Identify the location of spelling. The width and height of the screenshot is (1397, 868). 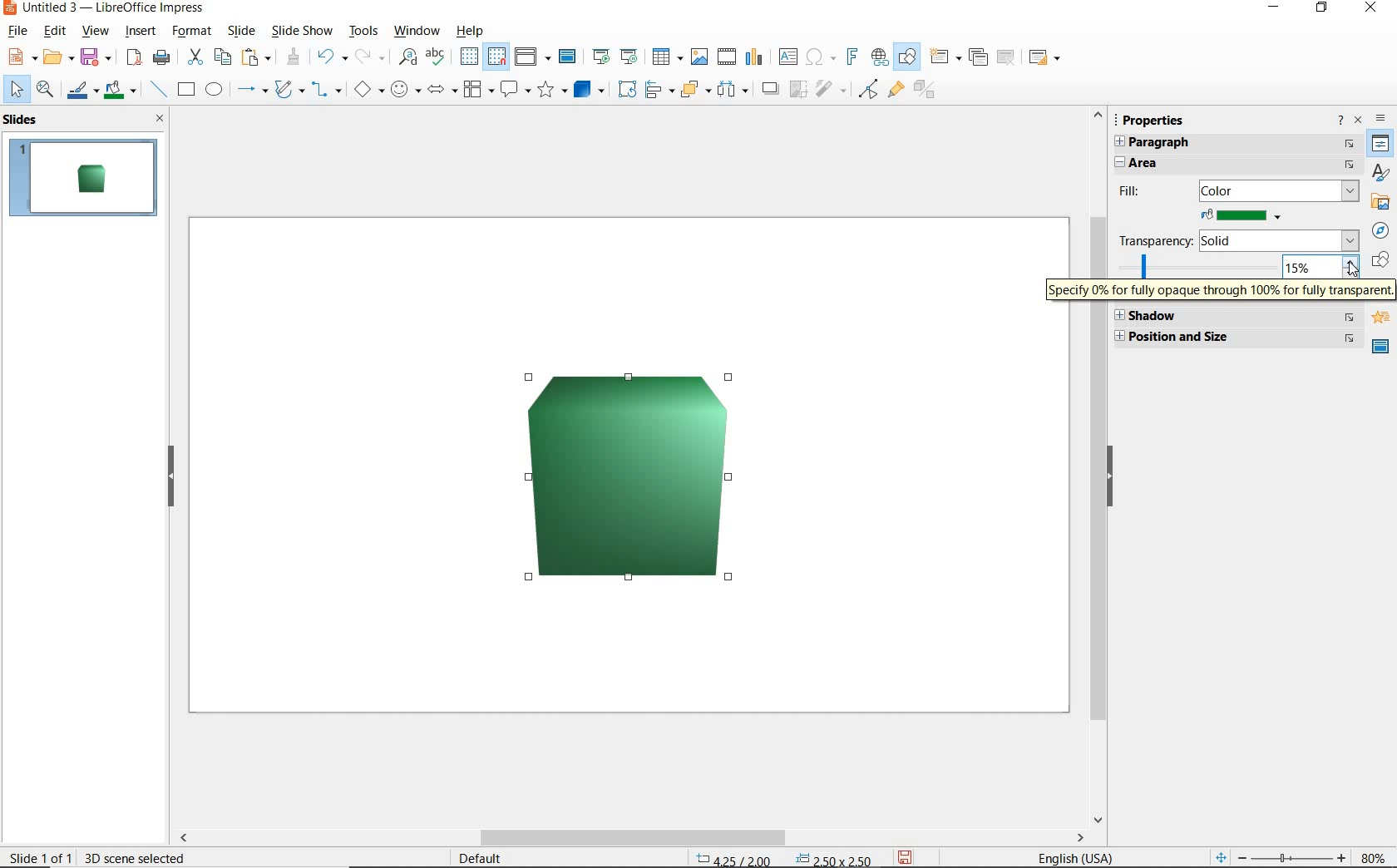
(440, 57).